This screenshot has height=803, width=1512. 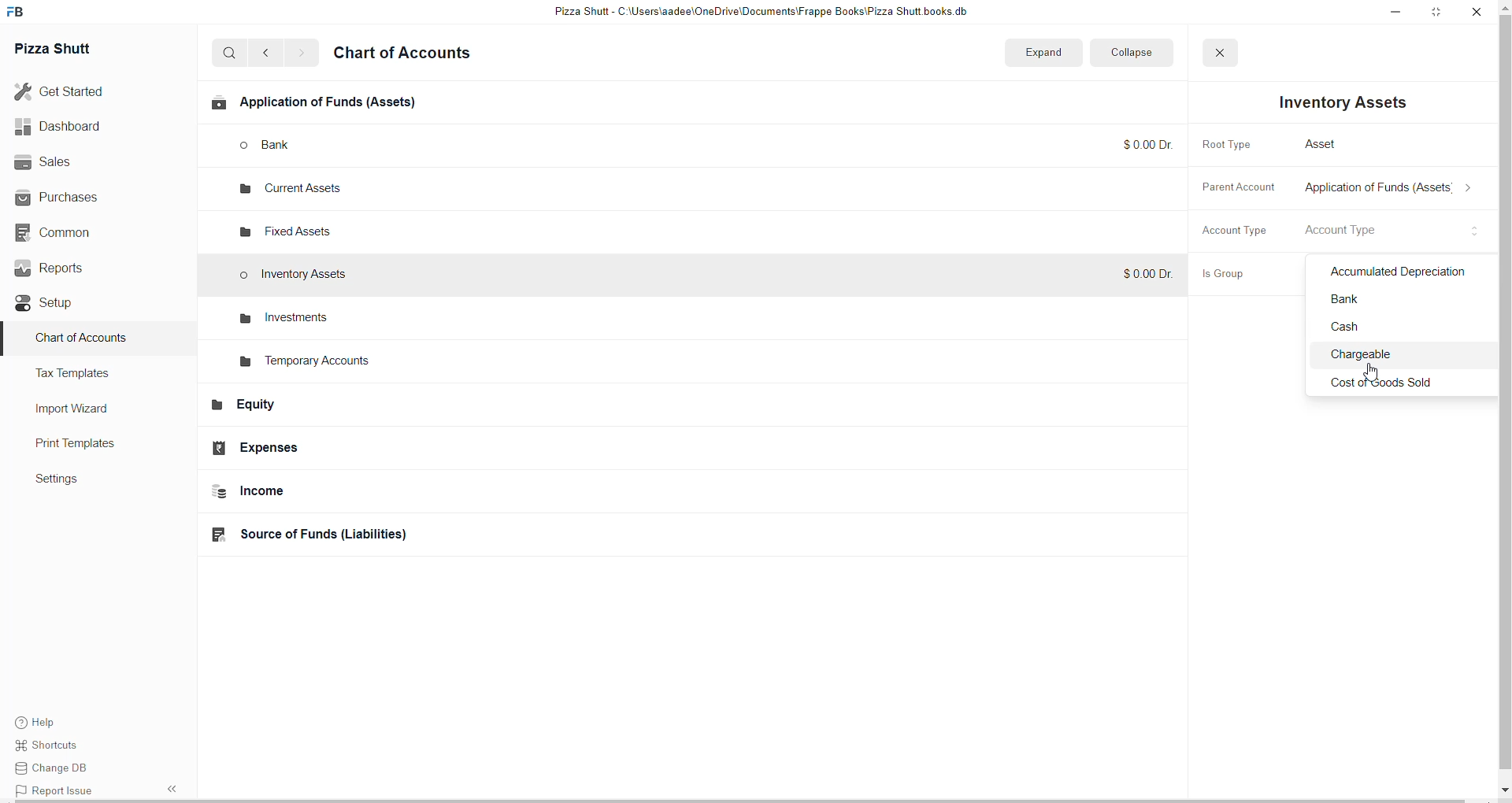 I want to click on close , so click(x=1228, y=53).